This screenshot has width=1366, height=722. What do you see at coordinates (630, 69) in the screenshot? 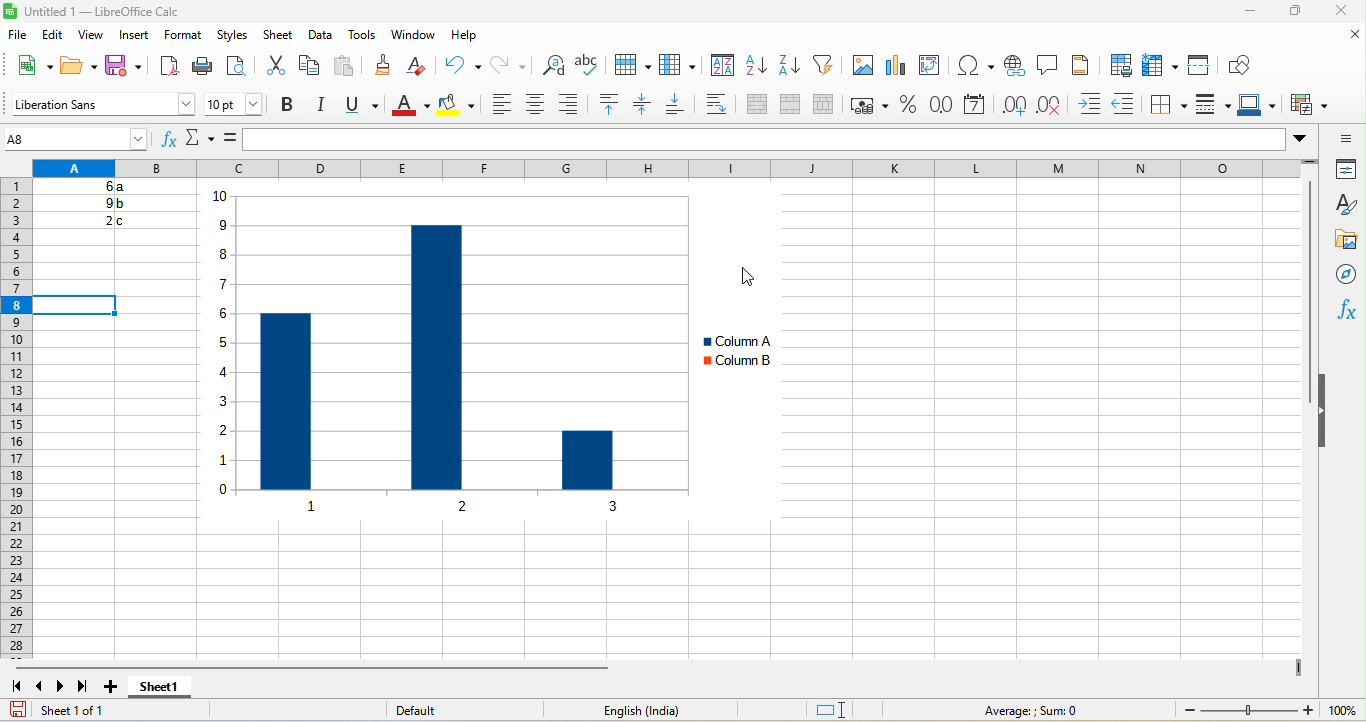
I see `row` at bounding box center [630, 69].